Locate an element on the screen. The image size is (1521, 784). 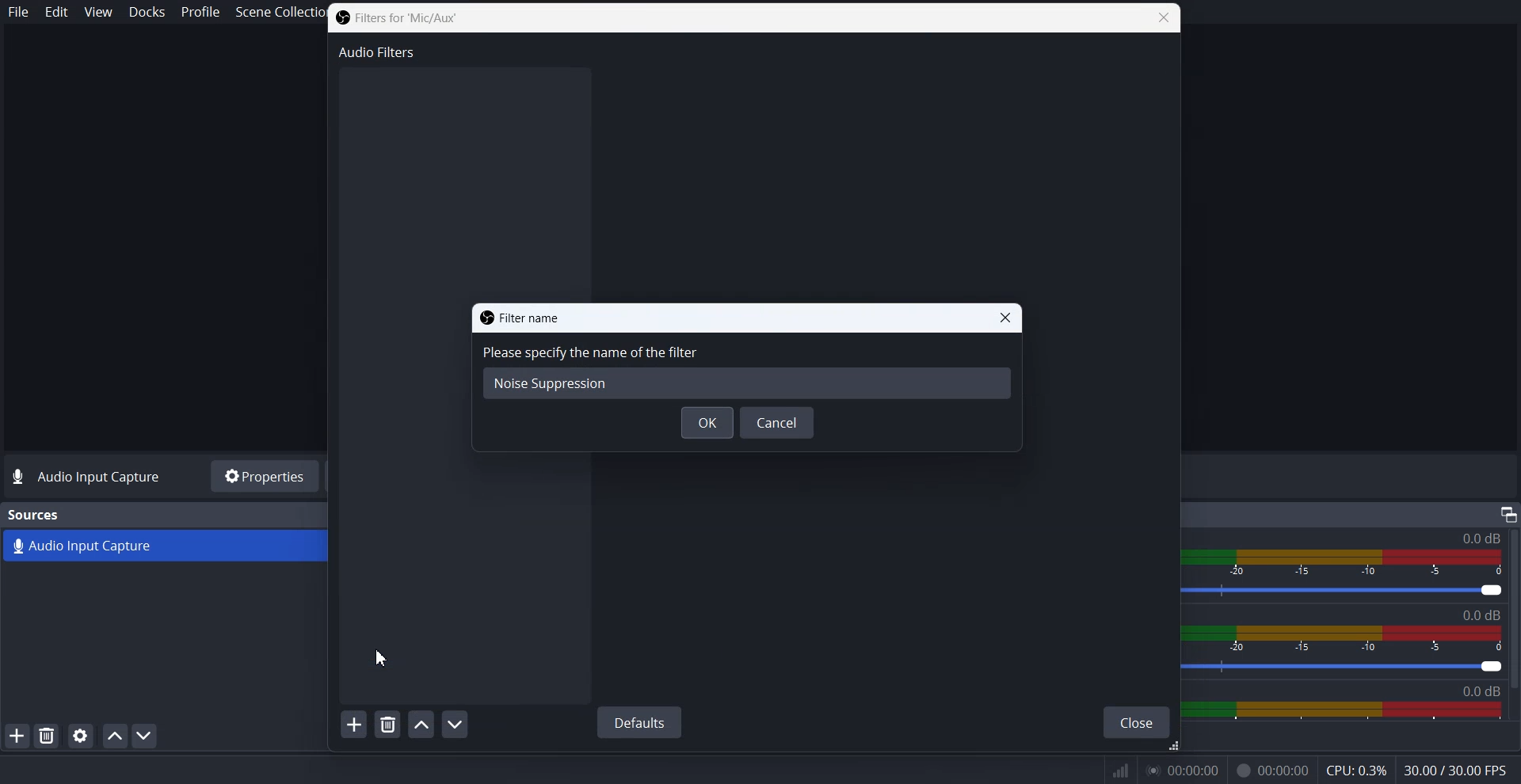
Default is located at coordinates (639, 721).